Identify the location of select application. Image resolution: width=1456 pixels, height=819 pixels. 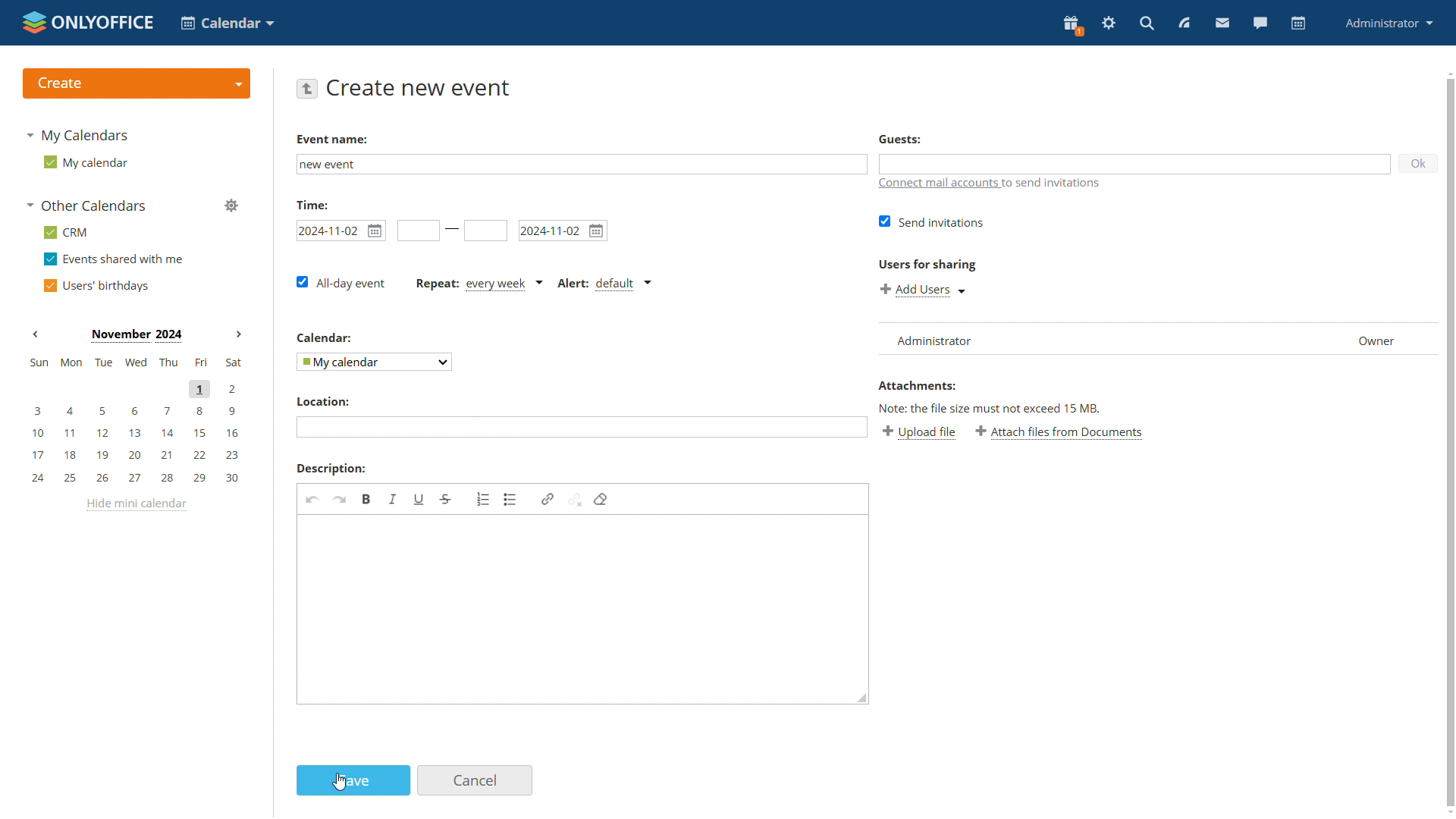
(226, 22).